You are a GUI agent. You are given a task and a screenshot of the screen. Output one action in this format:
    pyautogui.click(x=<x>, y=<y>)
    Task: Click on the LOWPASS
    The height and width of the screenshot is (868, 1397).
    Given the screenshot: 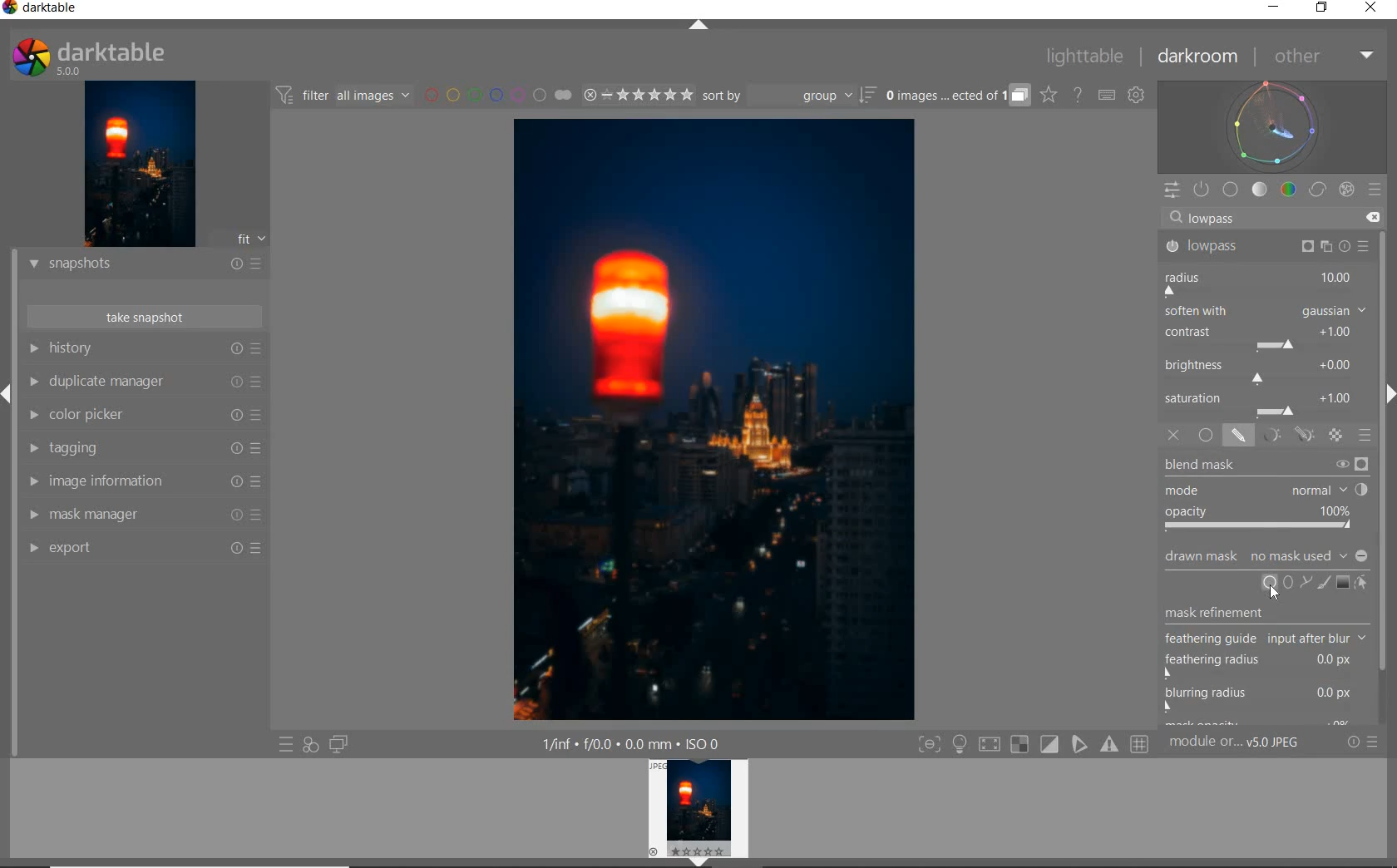 What is the action you would take?
    pyautogui.click(x=1237, y=248)
    